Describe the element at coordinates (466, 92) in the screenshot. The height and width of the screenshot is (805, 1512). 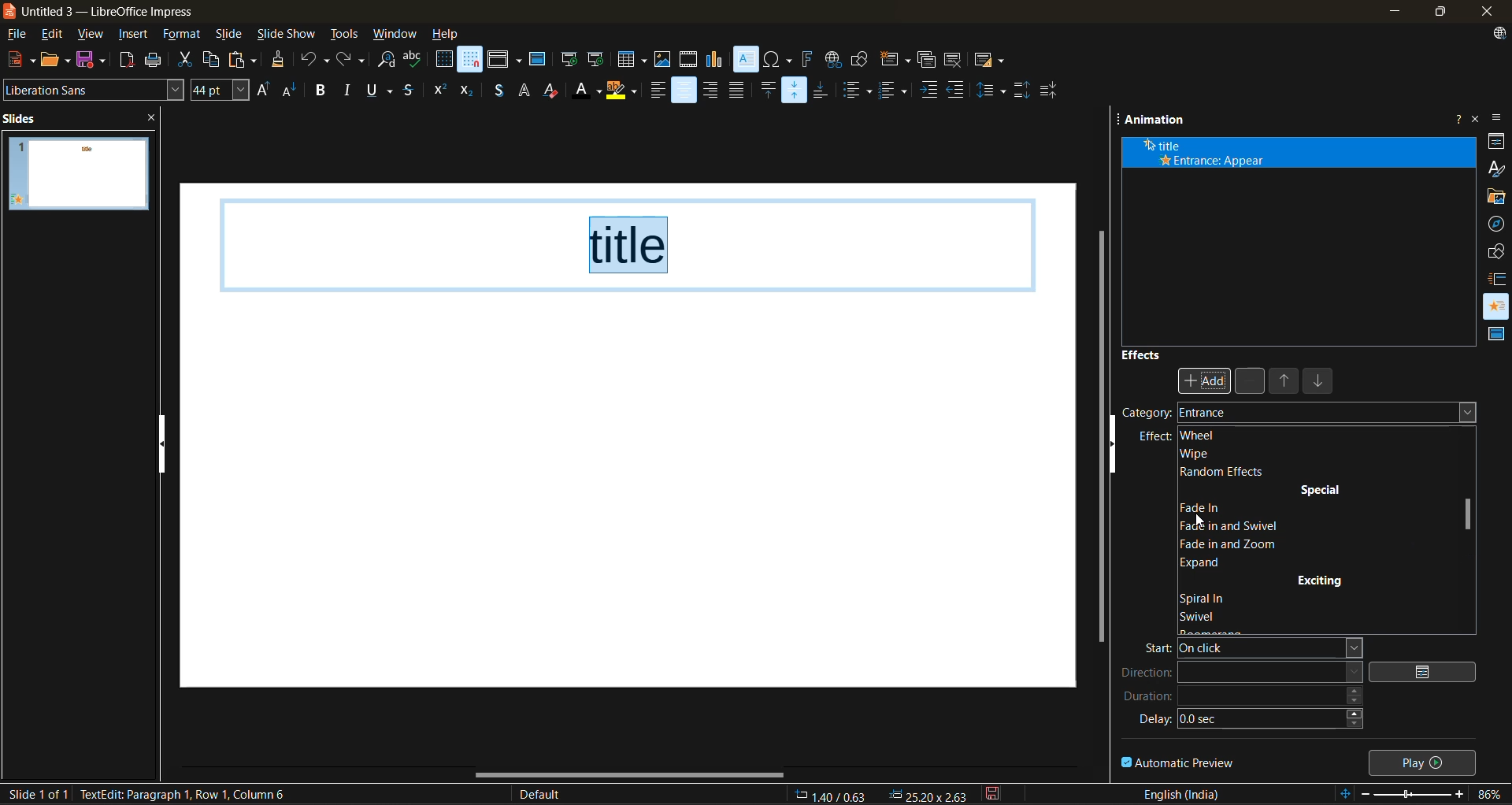
I see `subscript` at that location.